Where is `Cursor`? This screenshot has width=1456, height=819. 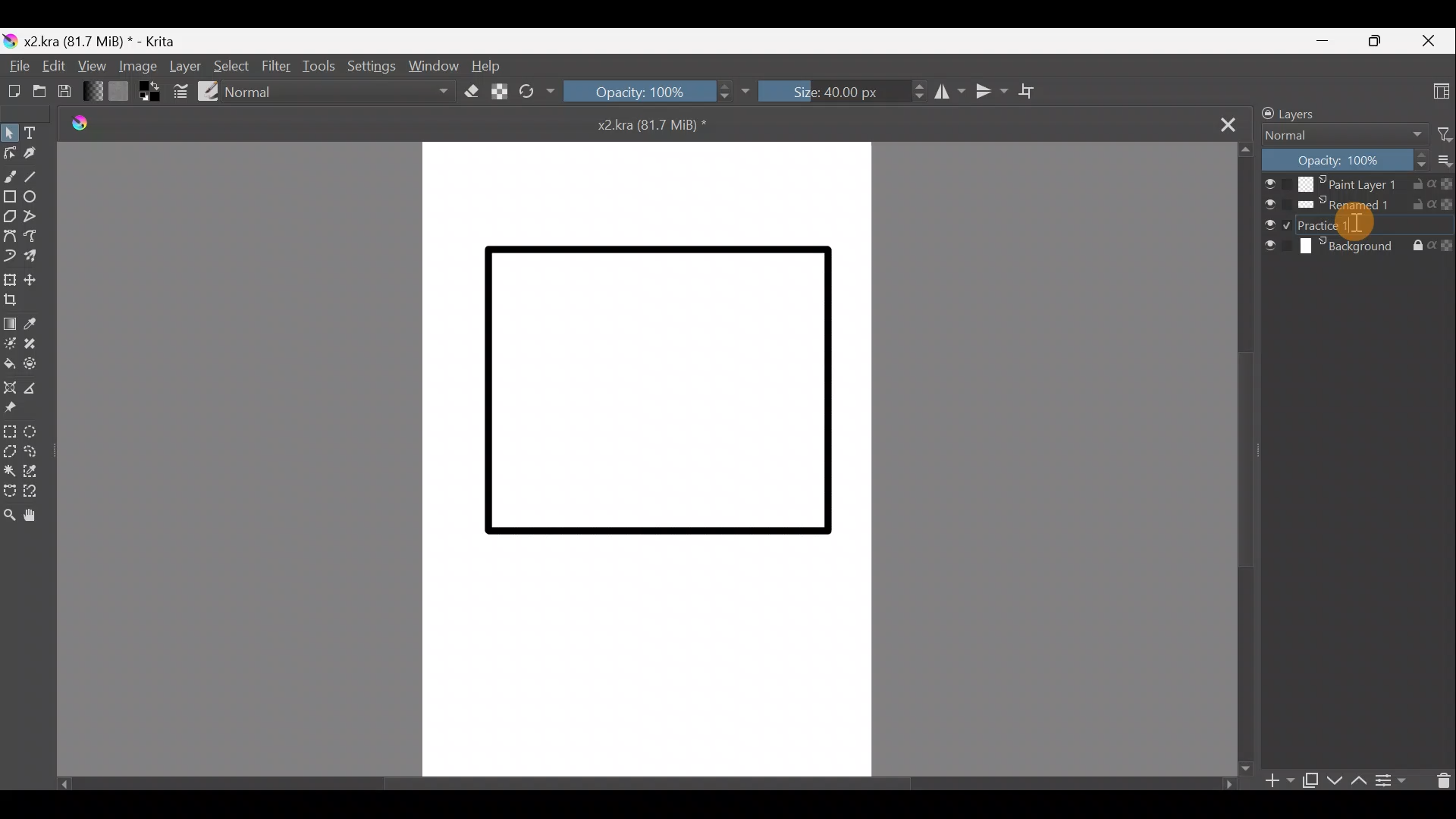 Cursor is located at coordinates (1355, 227).